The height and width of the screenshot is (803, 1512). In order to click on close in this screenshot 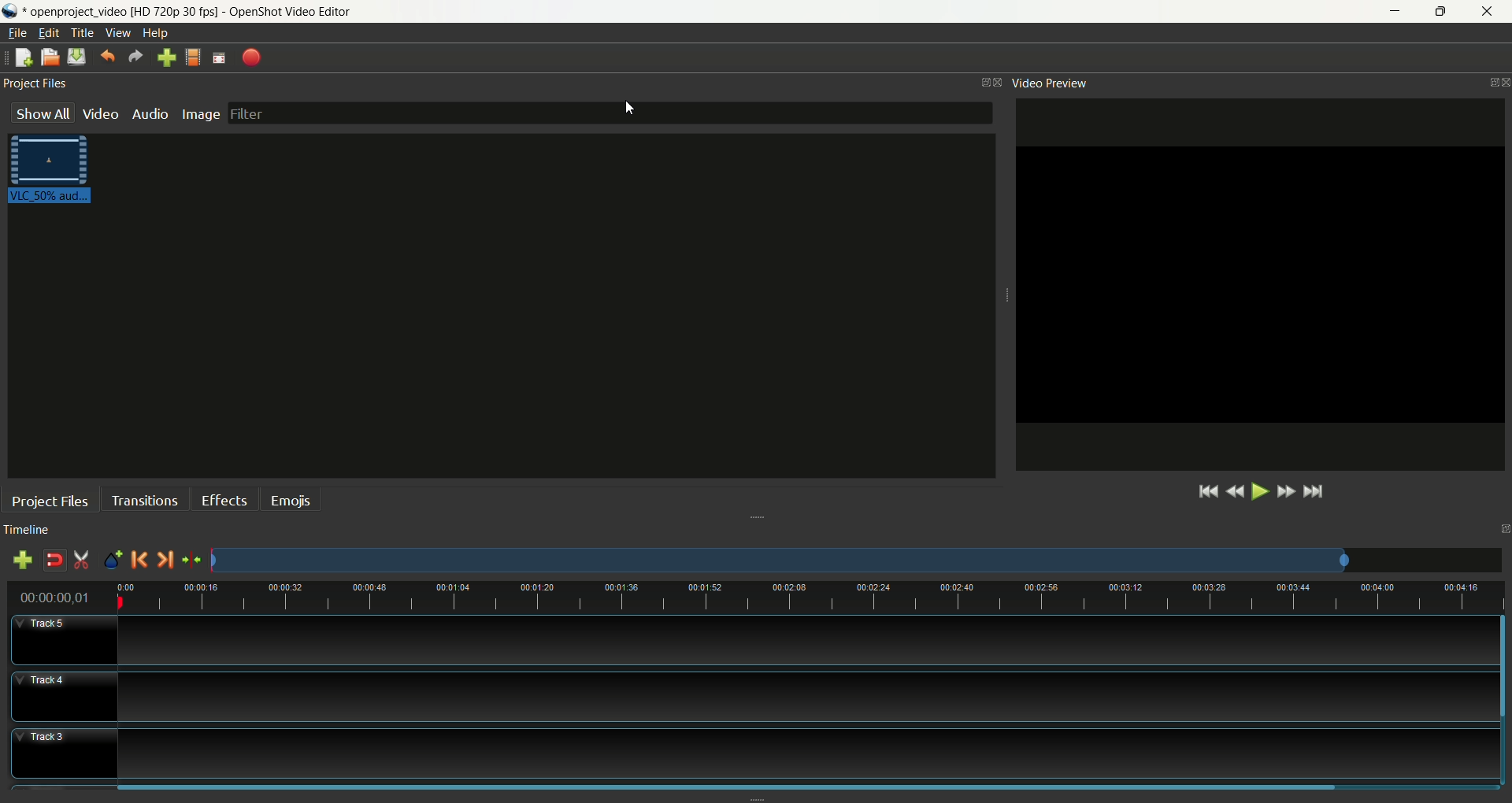, I will do `click(1490, 12)`.